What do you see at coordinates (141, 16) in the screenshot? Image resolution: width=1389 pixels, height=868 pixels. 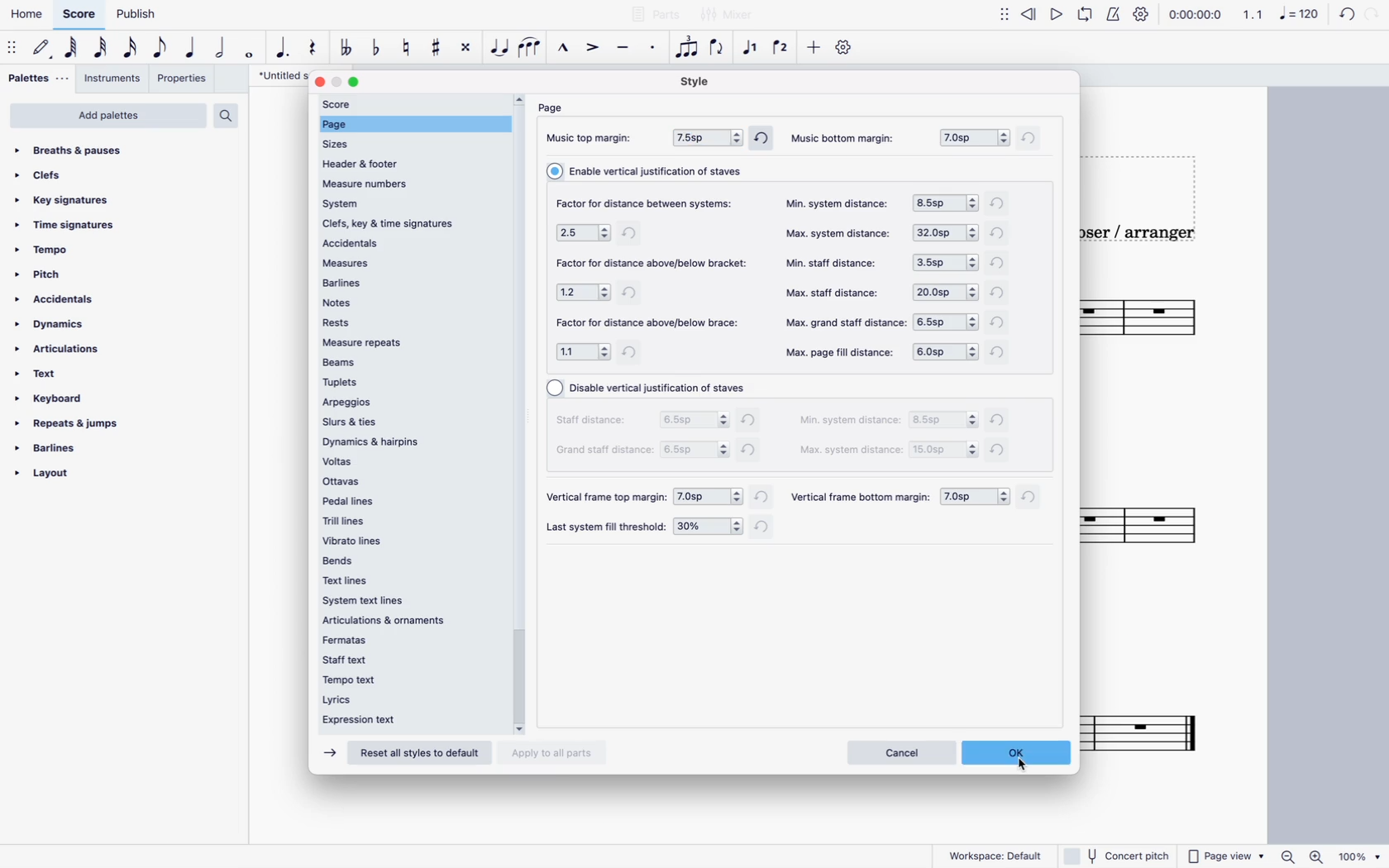 I see `publish` at bounding box center [141, 16].